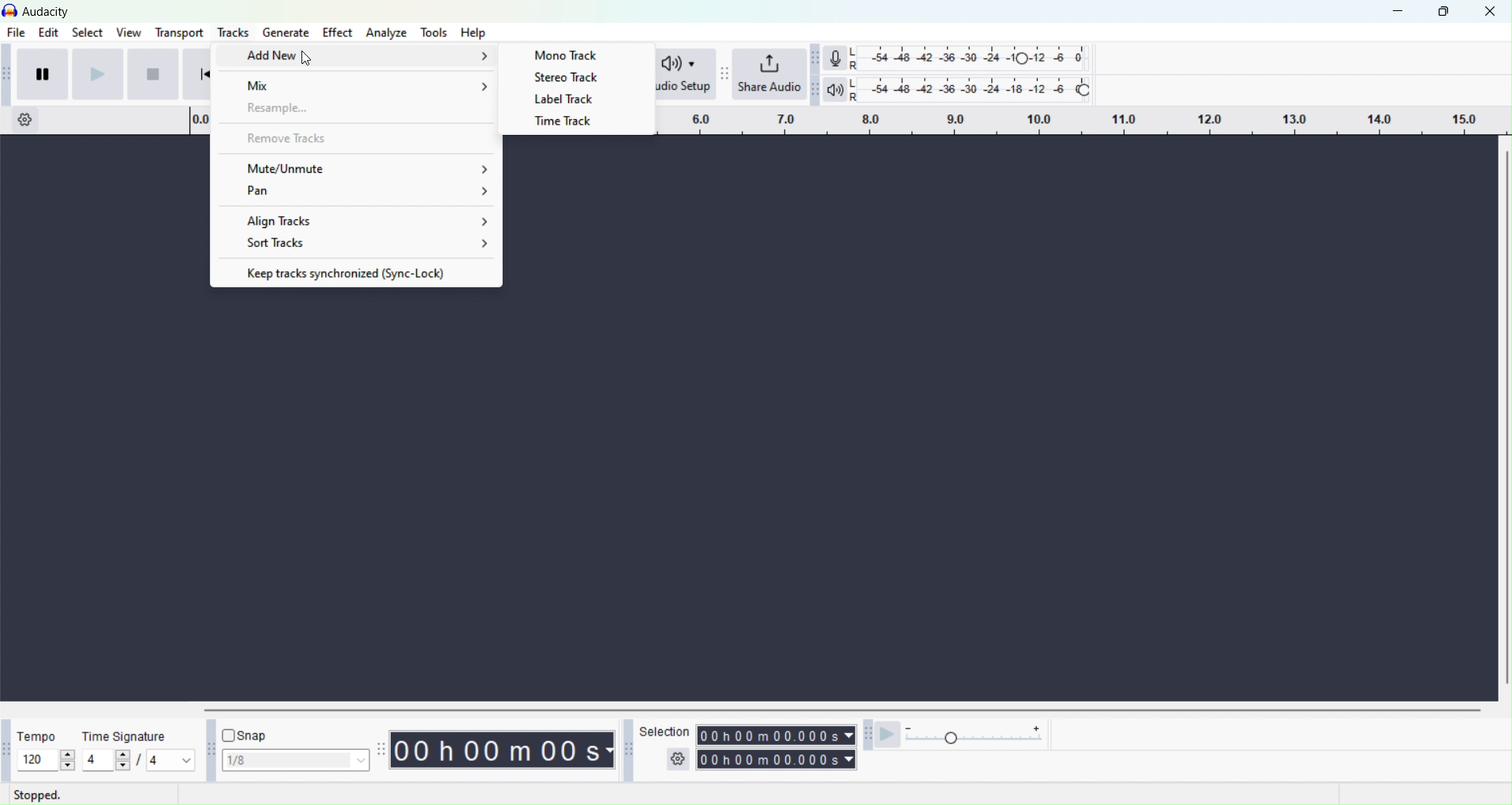 The width and height of the screenshot is (1512, 805). What do you see at coordinates (357, 166) in the screenshot?
I see `Mute/unmute` at bounding box center [357, 166].